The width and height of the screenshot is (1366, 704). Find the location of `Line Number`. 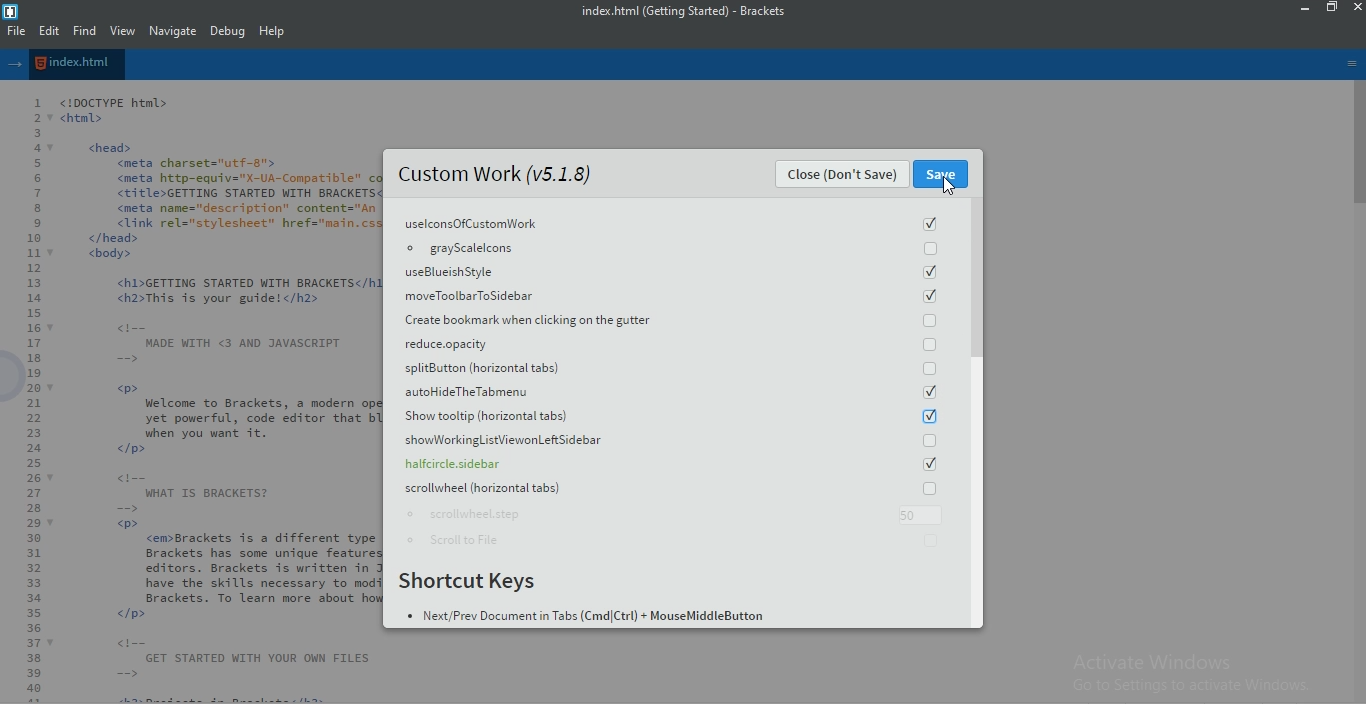

Line Number is located at coordinates (26, 397).